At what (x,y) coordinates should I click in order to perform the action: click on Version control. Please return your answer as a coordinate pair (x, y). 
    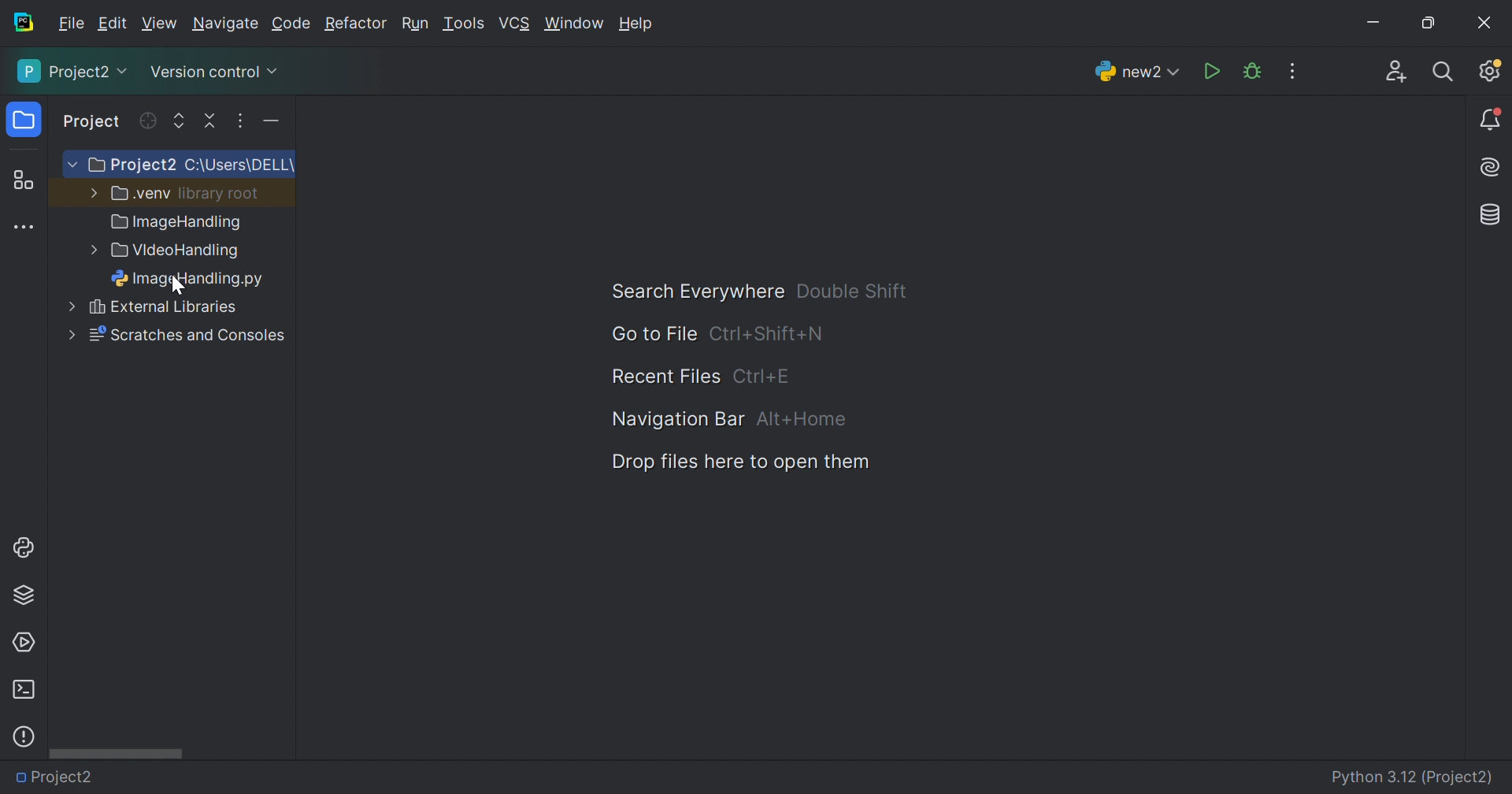
    Looking at the image, I should click on (213, 75).